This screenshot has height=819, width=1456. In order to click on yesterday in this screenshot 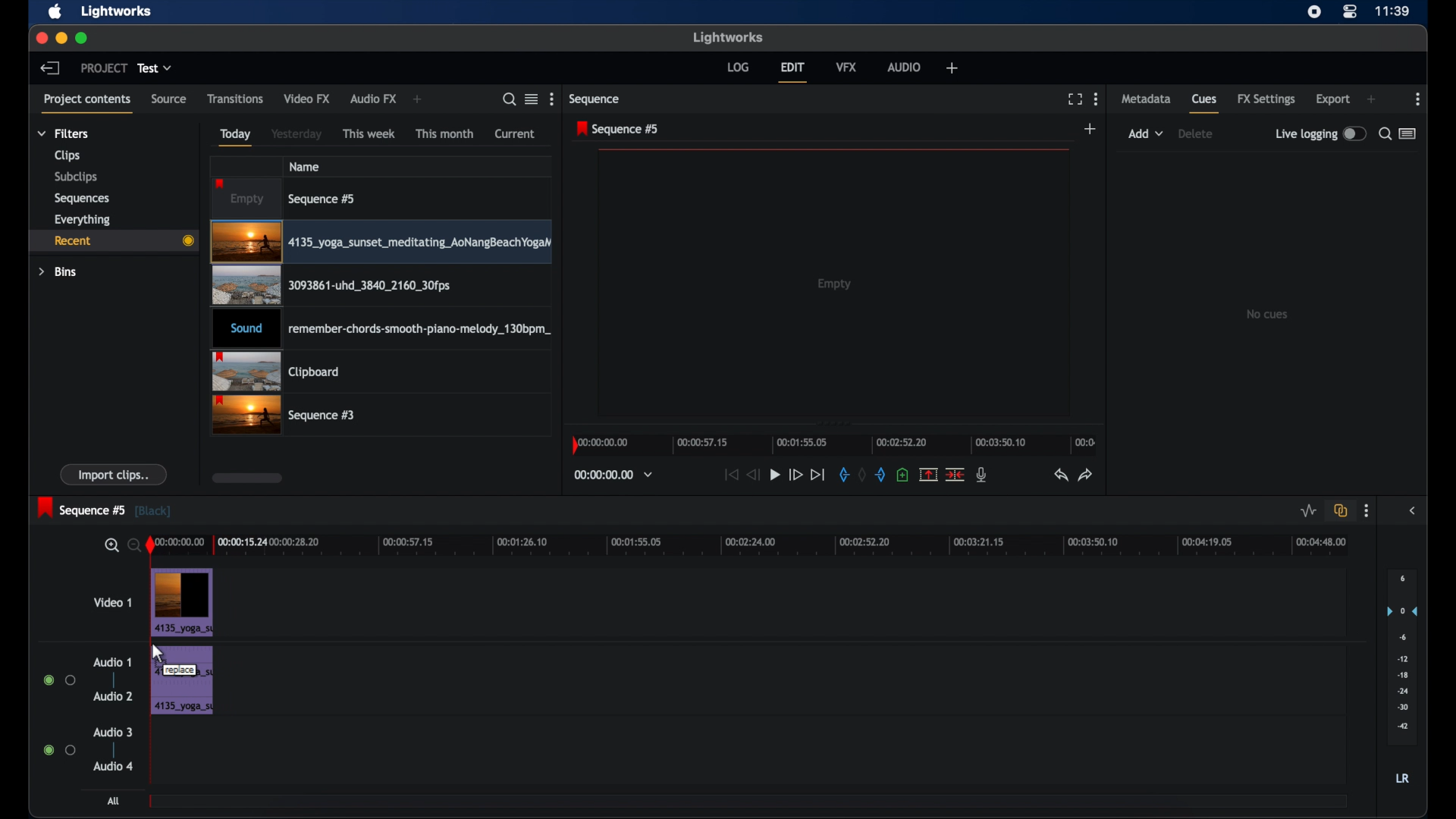, I will do `click(296, 133)`.